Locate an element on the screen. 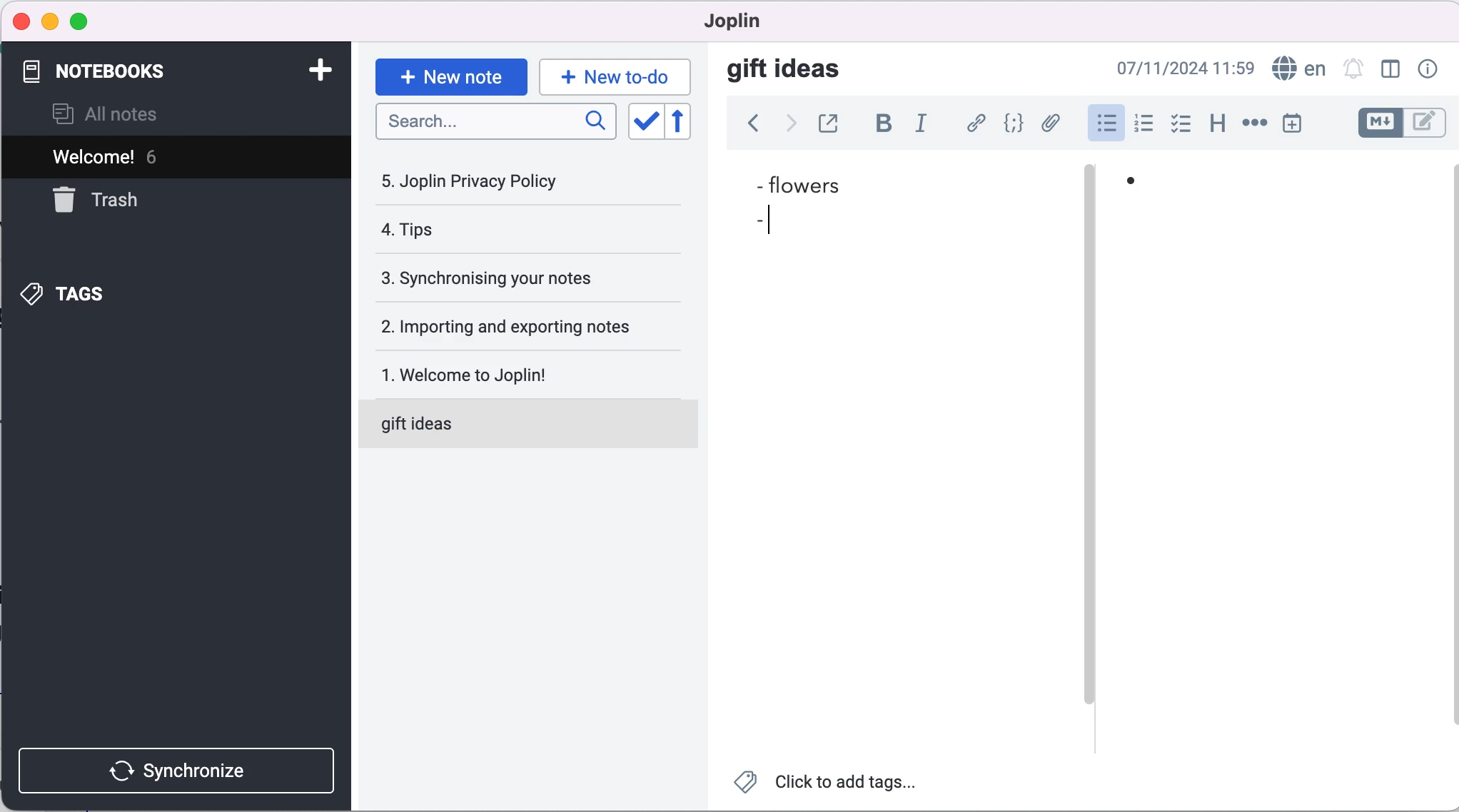 The height and width of the screenshot is (812, 1459). all notes is located at coordinates (124, 113).